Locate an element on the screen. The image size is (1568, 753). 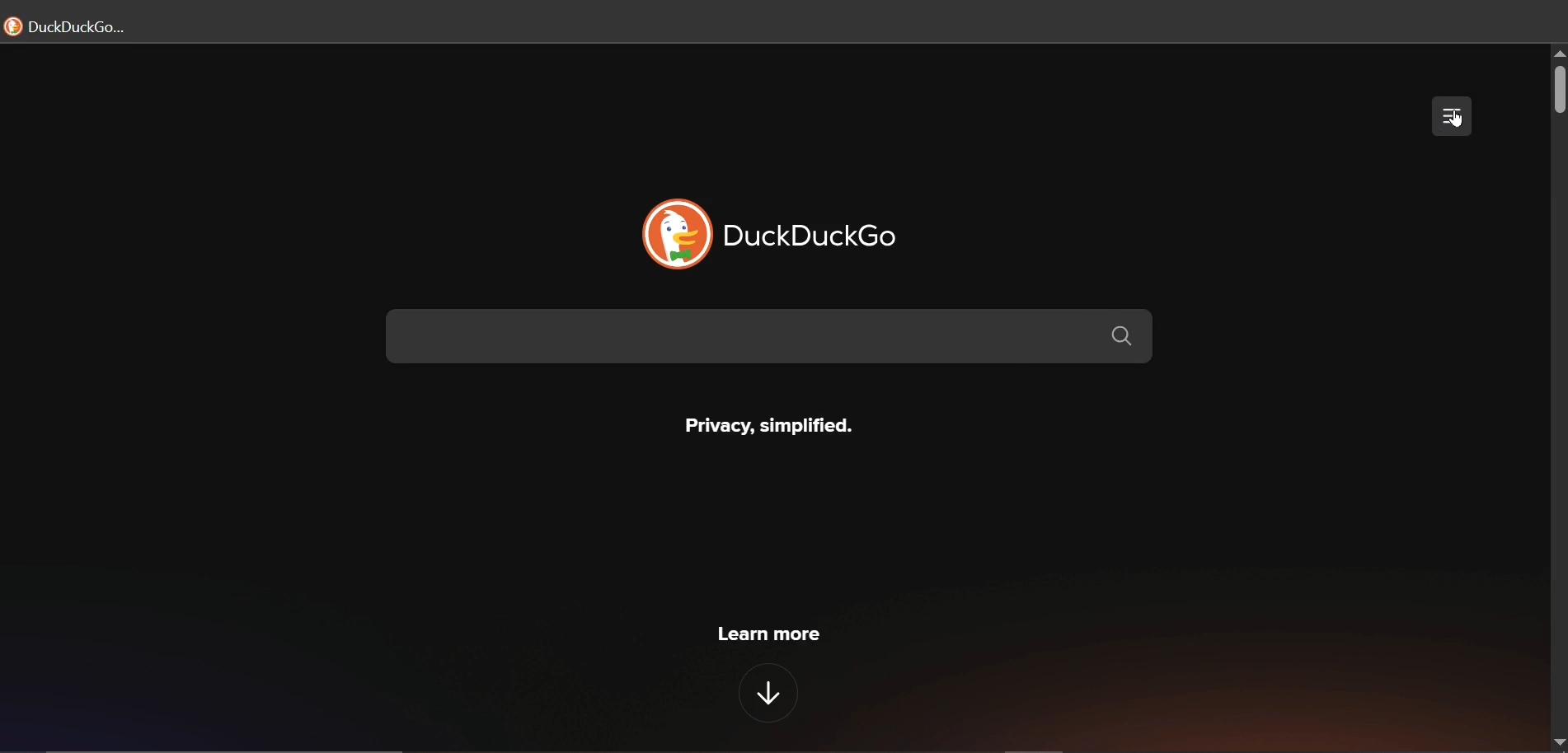
cursor is located at coordinates (1453, 124).